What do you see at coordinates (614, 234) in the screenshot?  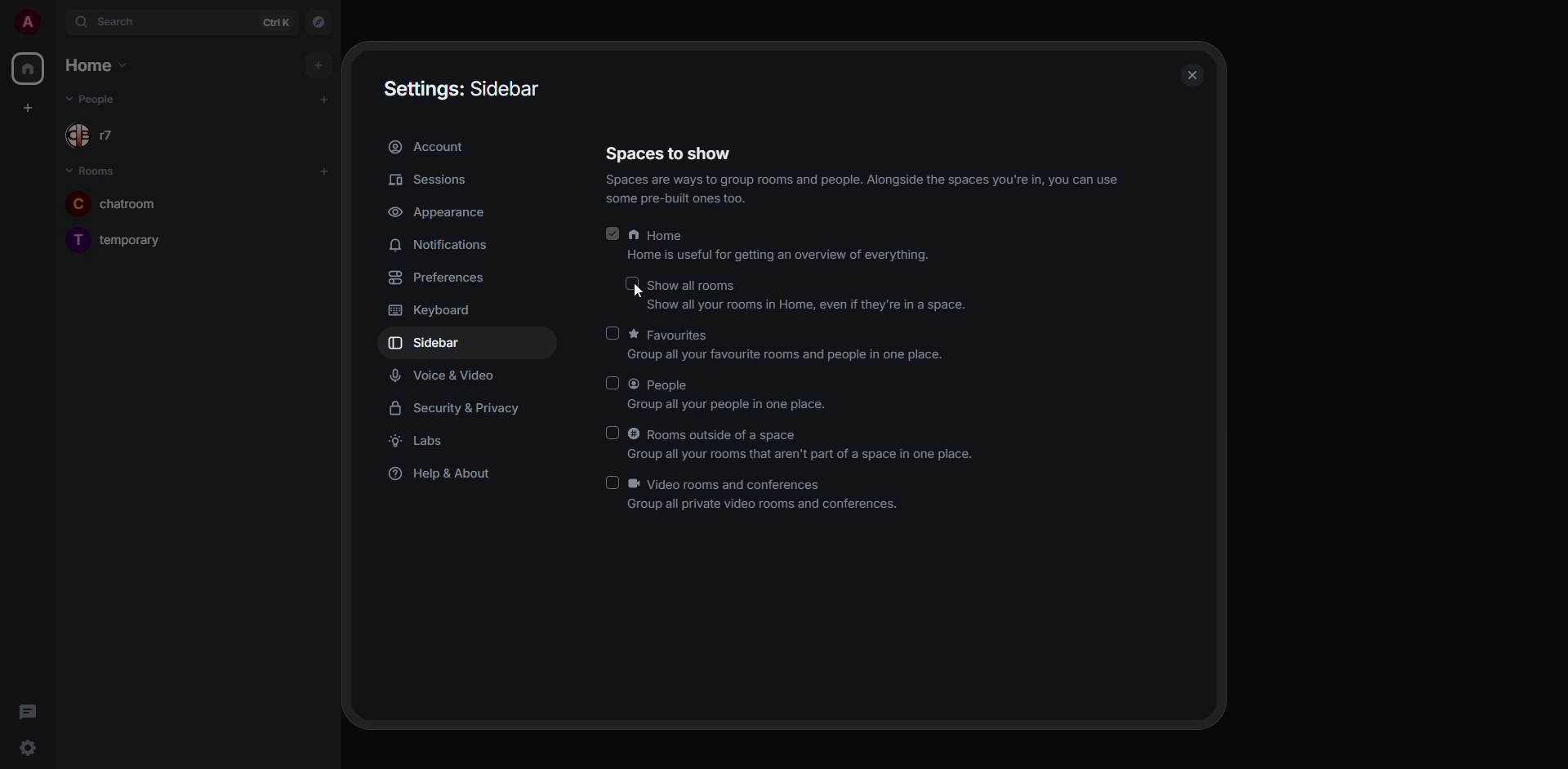 I see `enabled` at bounding box center [614, 234].